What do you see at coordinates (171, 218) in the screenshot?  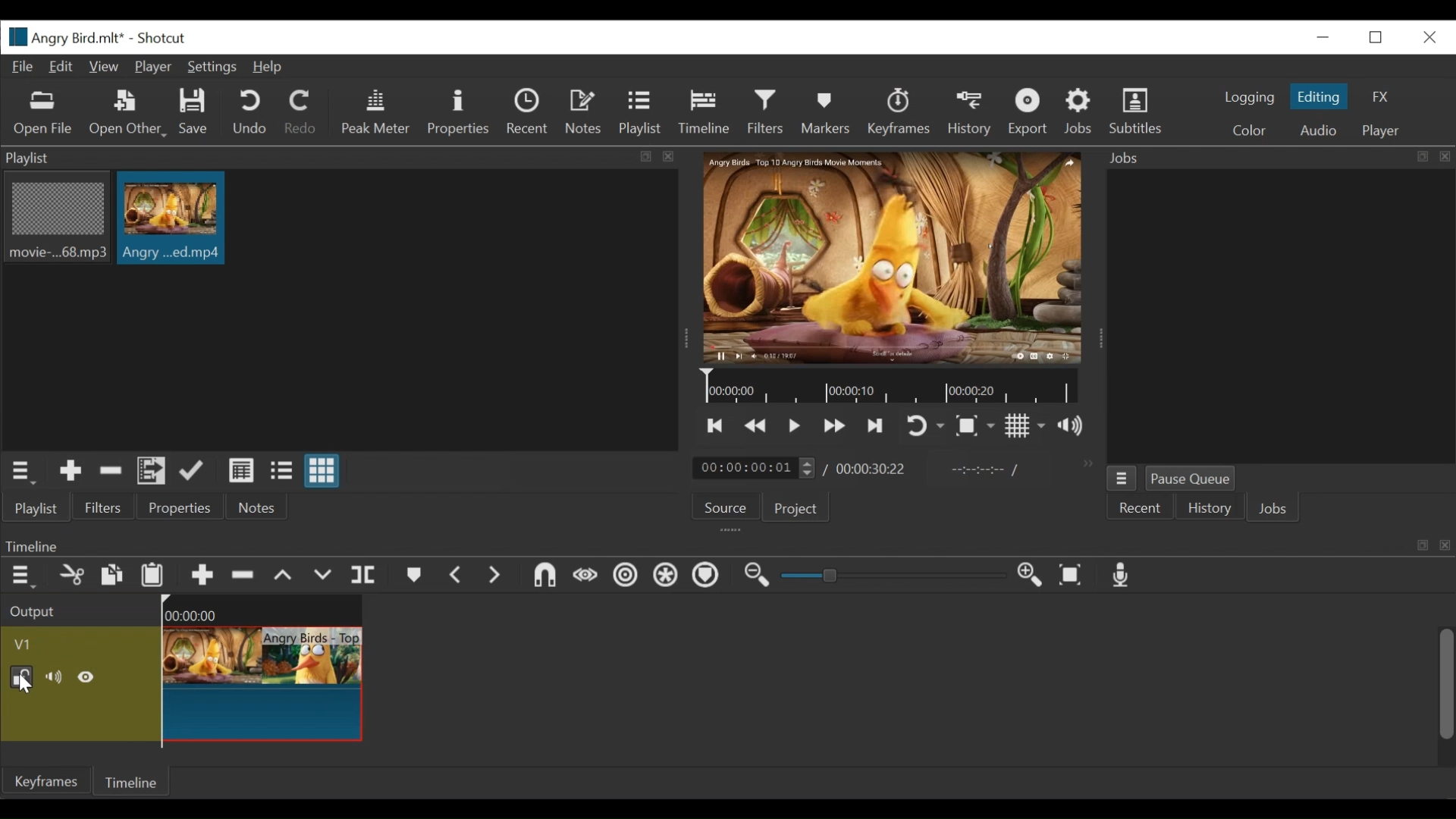 I see `Clip` at bounding box center [171, 218].